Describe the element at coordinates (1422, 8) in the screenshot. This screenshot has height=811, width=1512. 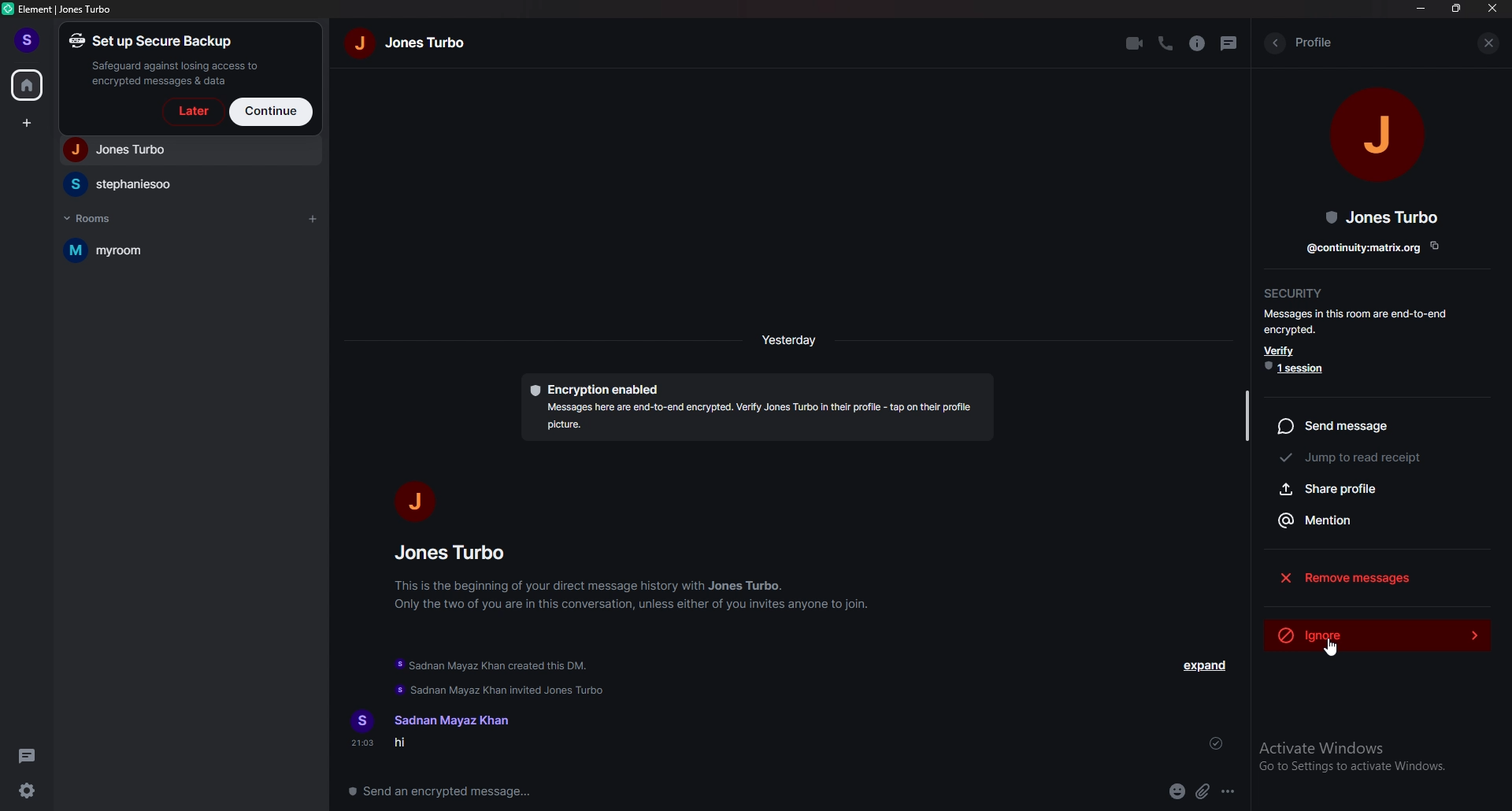
I see `minimize` at that location.